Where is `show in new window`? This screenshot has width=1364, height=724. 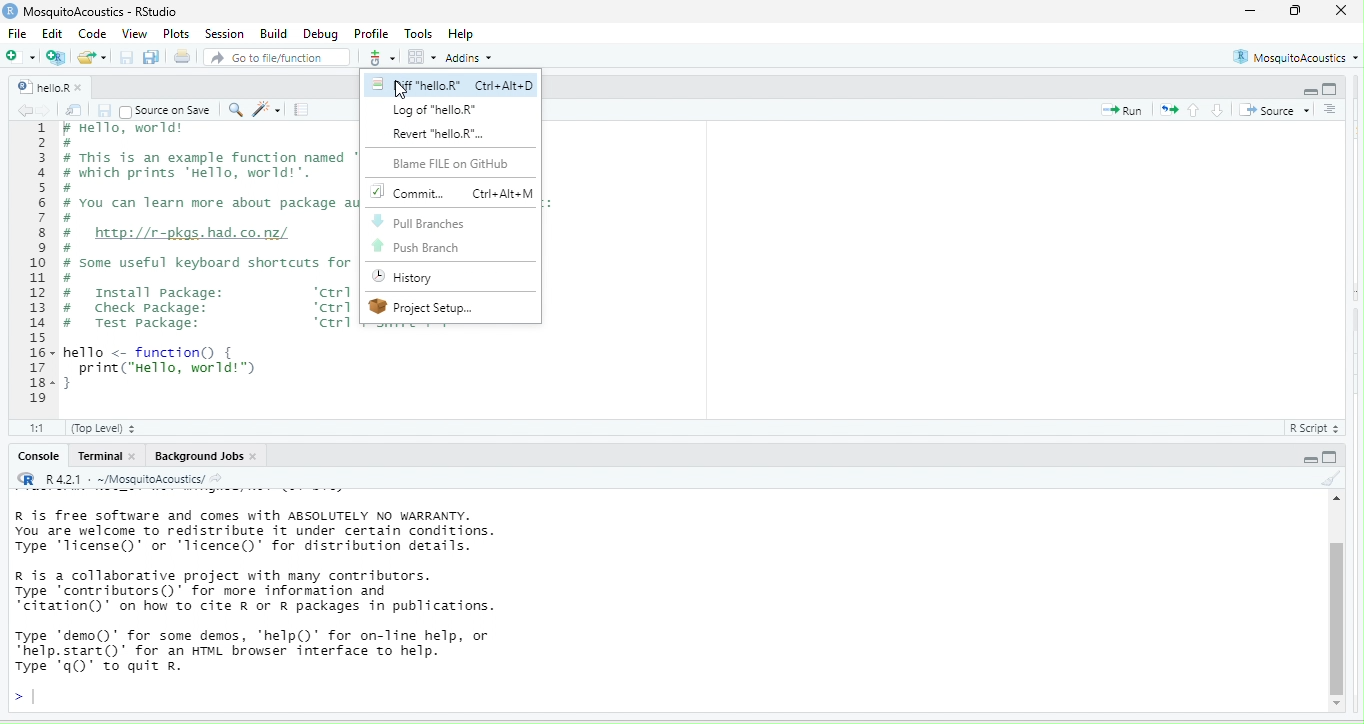
show in new window is located at coordinates (75, 111).